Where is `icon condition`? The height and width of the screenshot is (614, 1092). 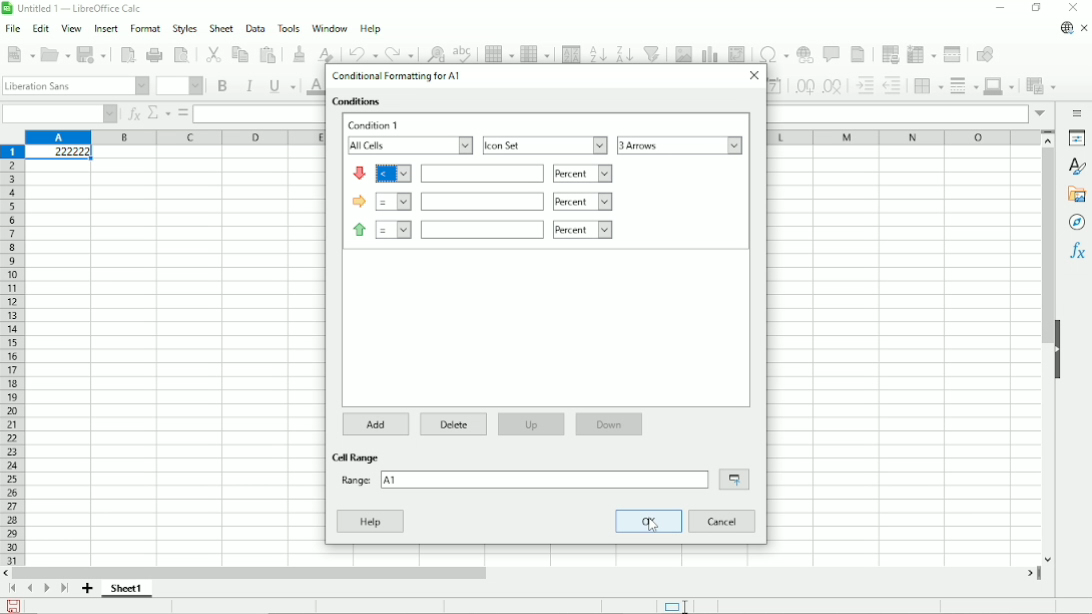
icon condition is located at coordinates (447, 173).